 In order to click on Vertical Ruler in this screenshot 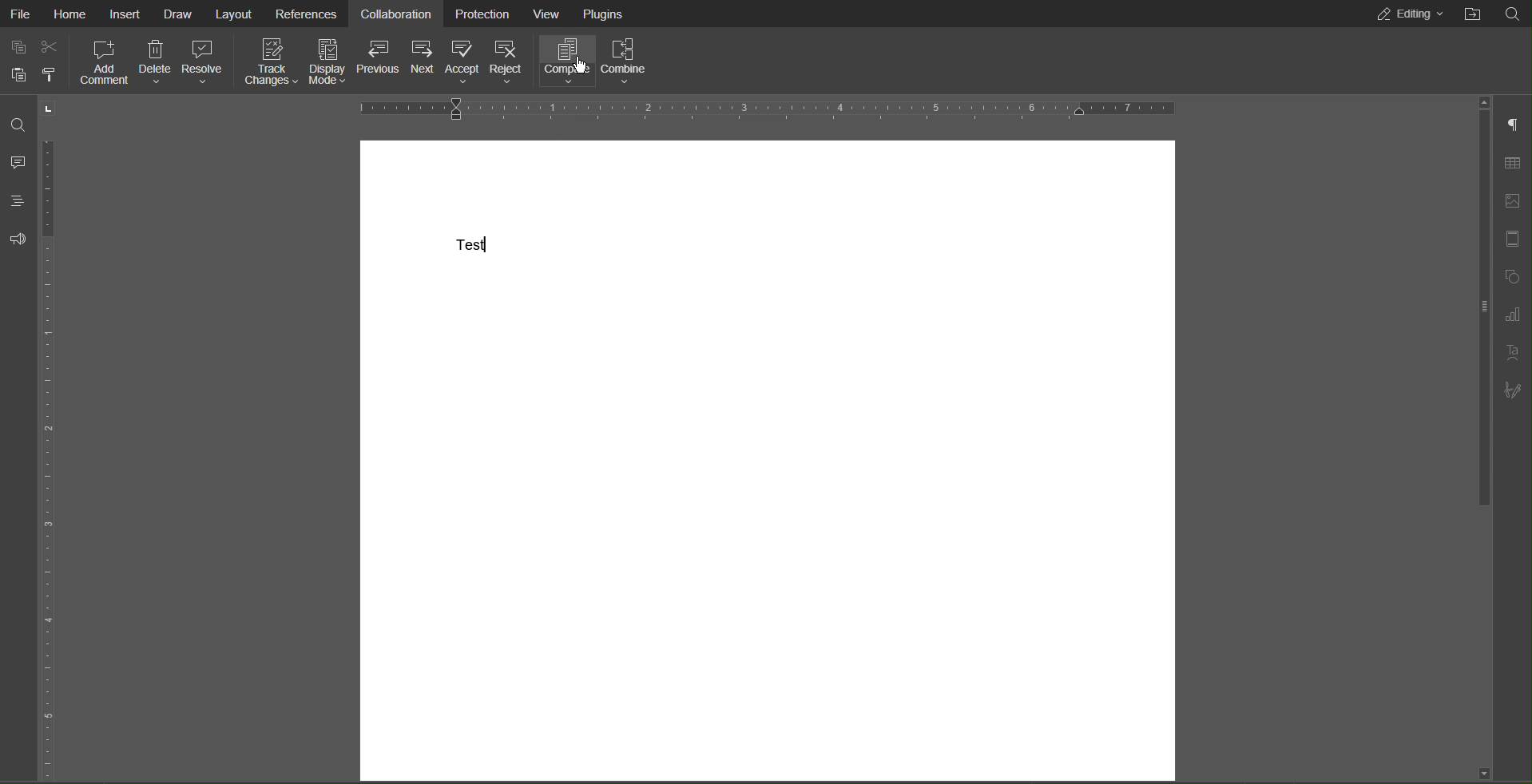, I will do `click(54, 442)`.